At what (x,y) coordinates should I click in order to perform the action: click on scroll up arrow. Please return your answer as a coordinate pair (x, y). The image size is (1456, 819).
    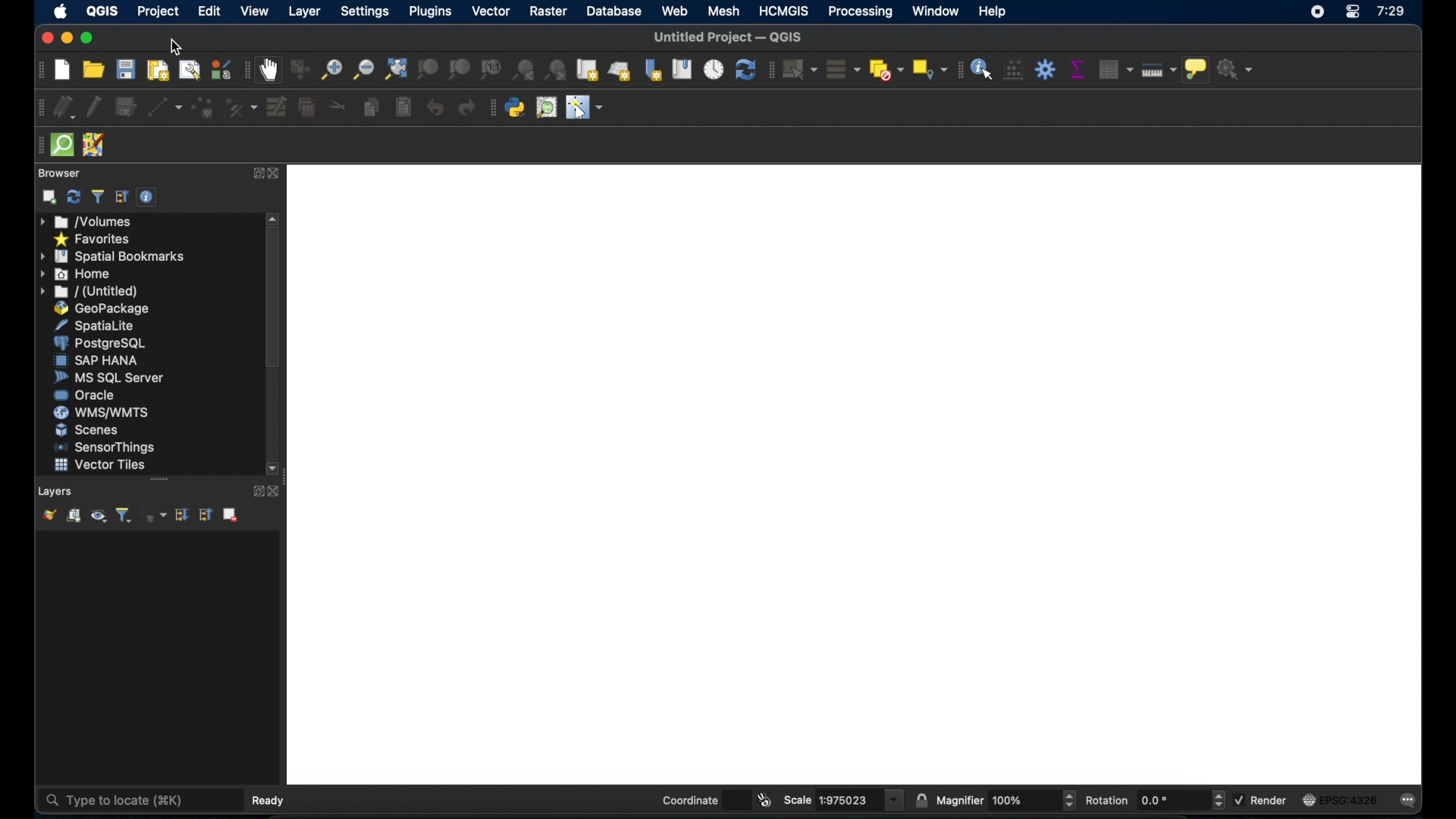
    Looking at the image, I should click on (274, 218).